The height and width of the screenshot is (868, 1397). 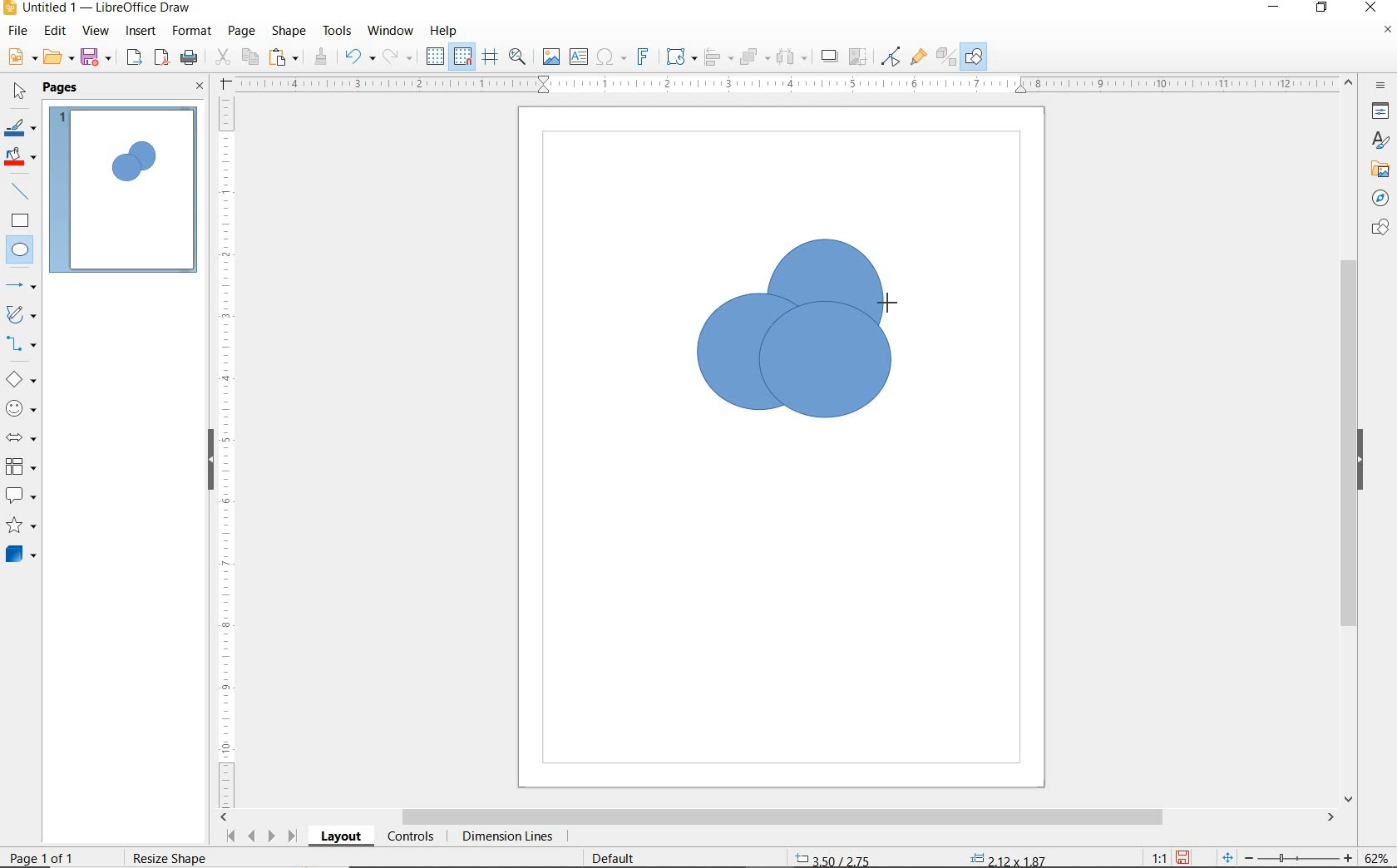 I want to click on PAGE 1 O 1, so click(x=54, y=851).